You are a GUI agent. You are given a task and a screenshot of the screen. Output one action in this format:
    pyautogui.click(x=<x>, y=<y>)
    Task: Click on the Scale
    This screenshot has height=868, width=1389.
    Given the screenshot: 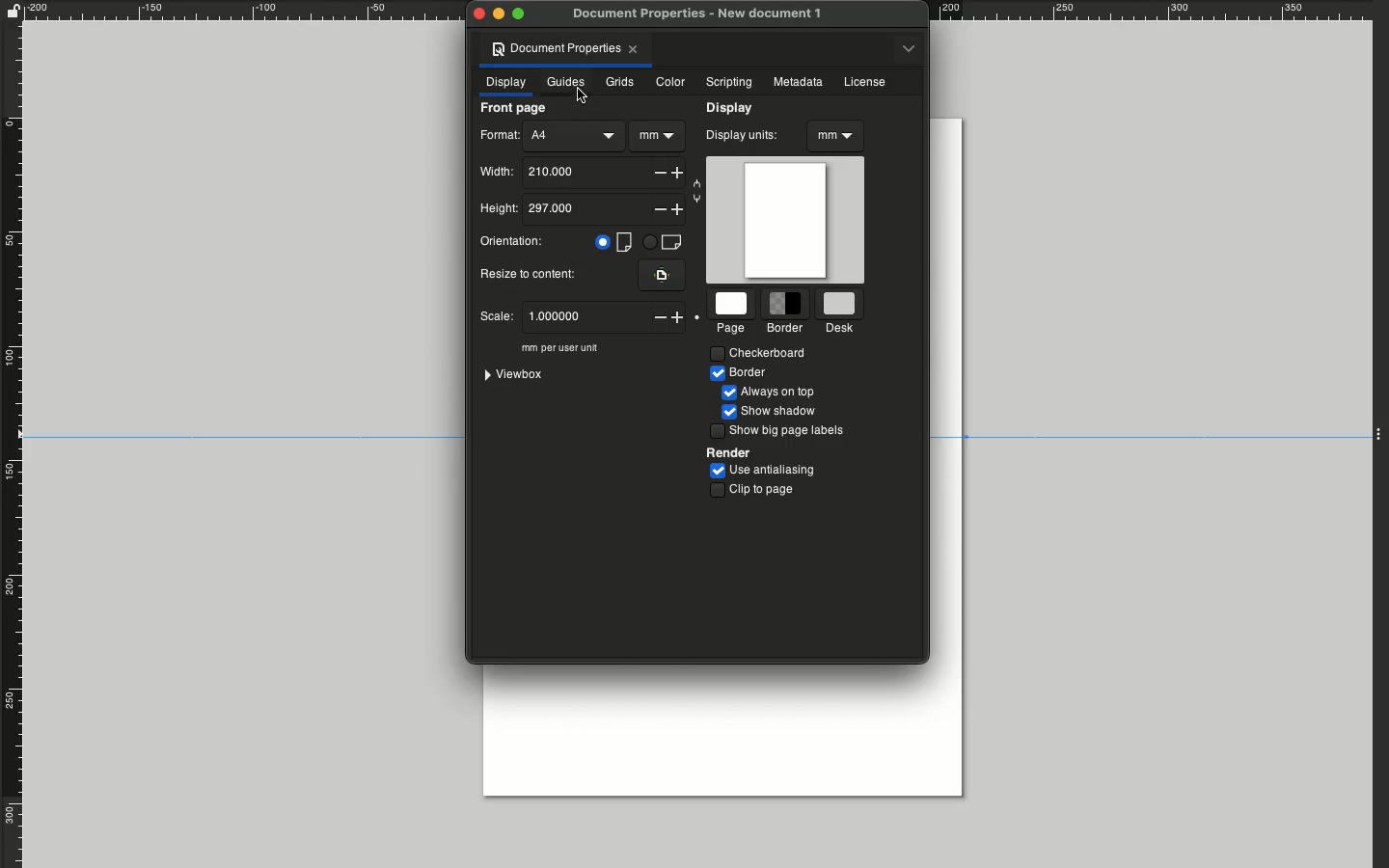 What is the action you would take?
    pyautogui.click(x=495, y=315)
    